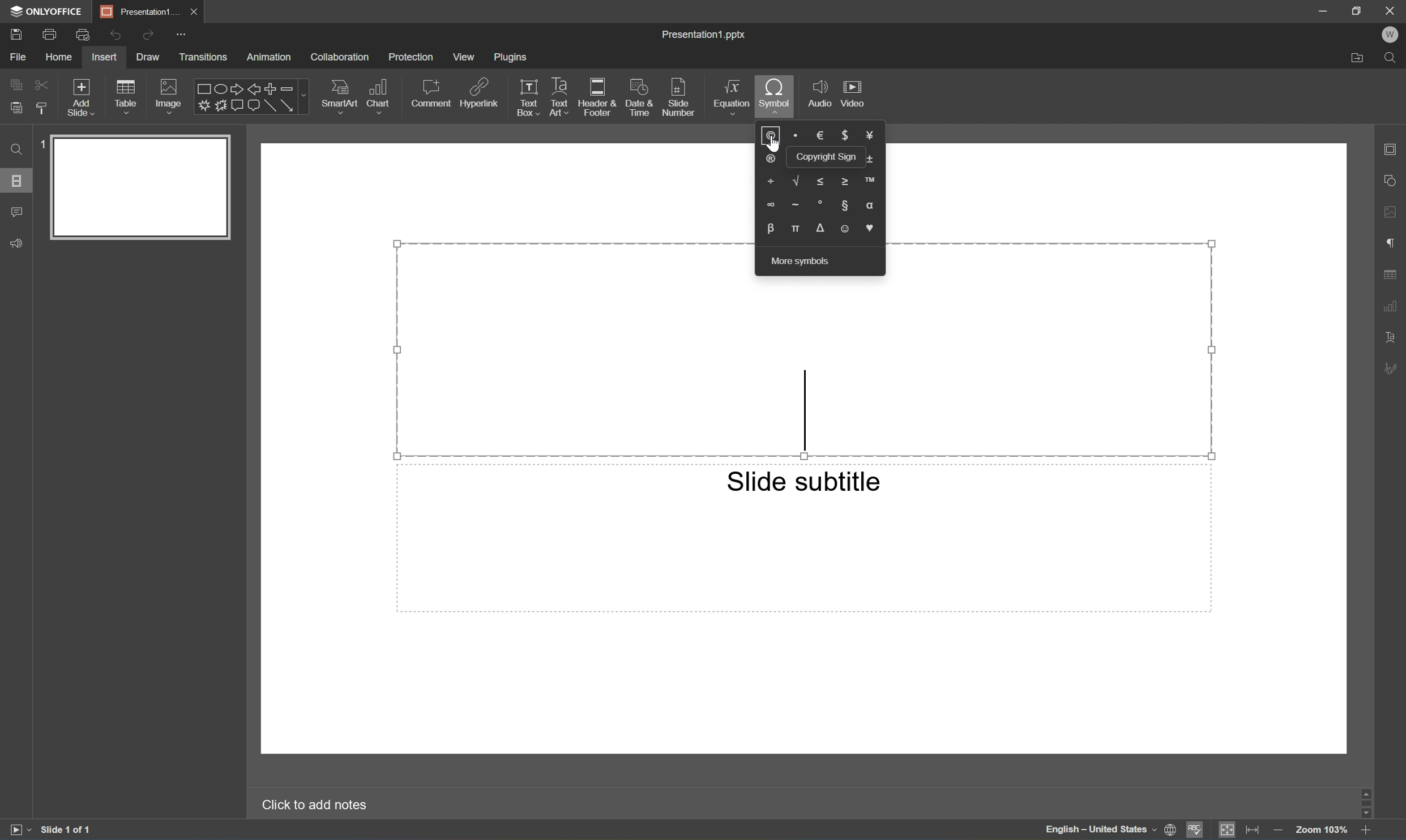 The height and width of the screenshot is (840, 1406). I want to click on Slides, so click(17, 182).